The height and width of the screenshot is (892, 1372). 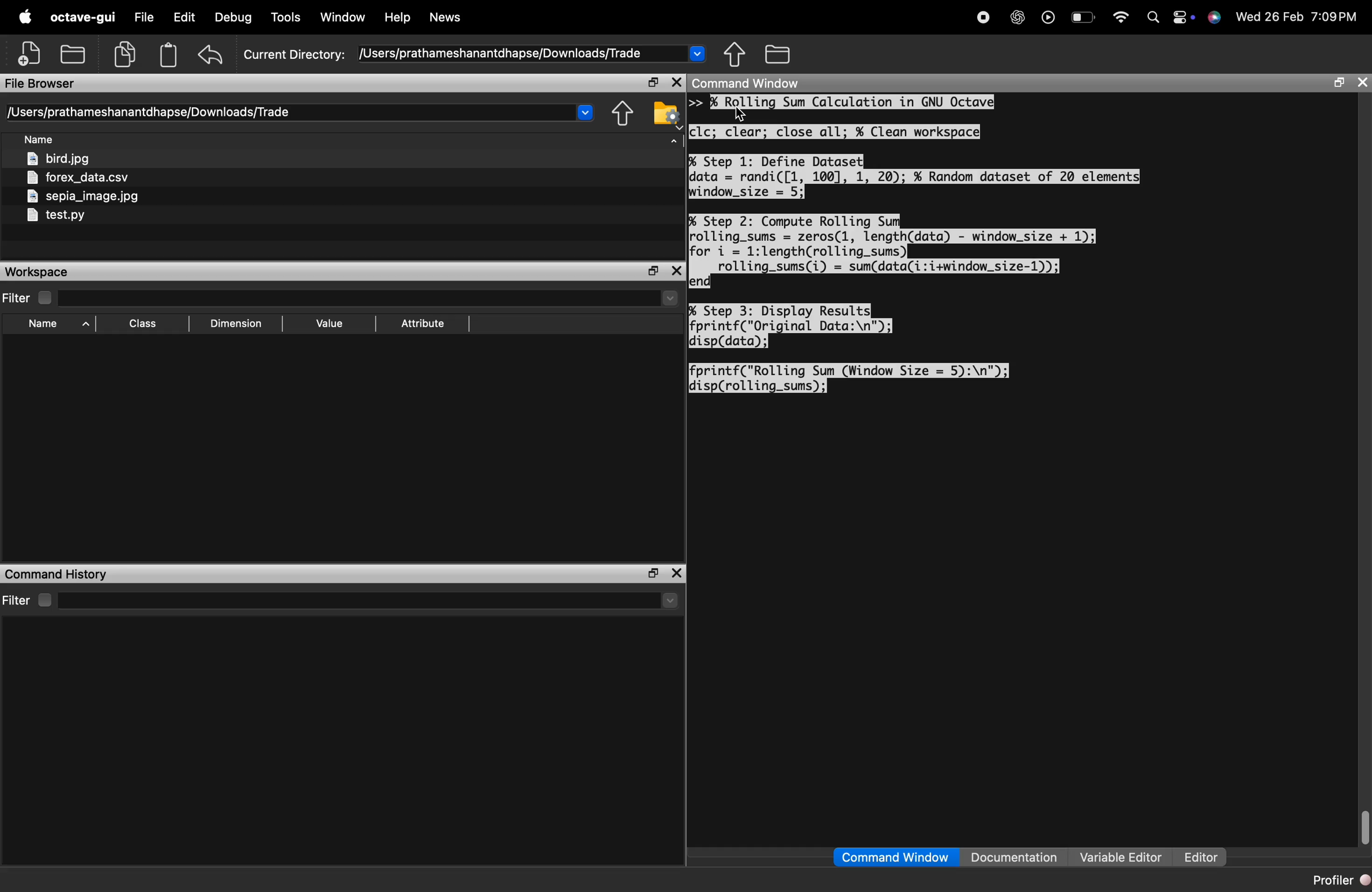 What do you see at coordinates (29, 297) in the screenshot?
I see `filter` at bounding box center [29, 297].